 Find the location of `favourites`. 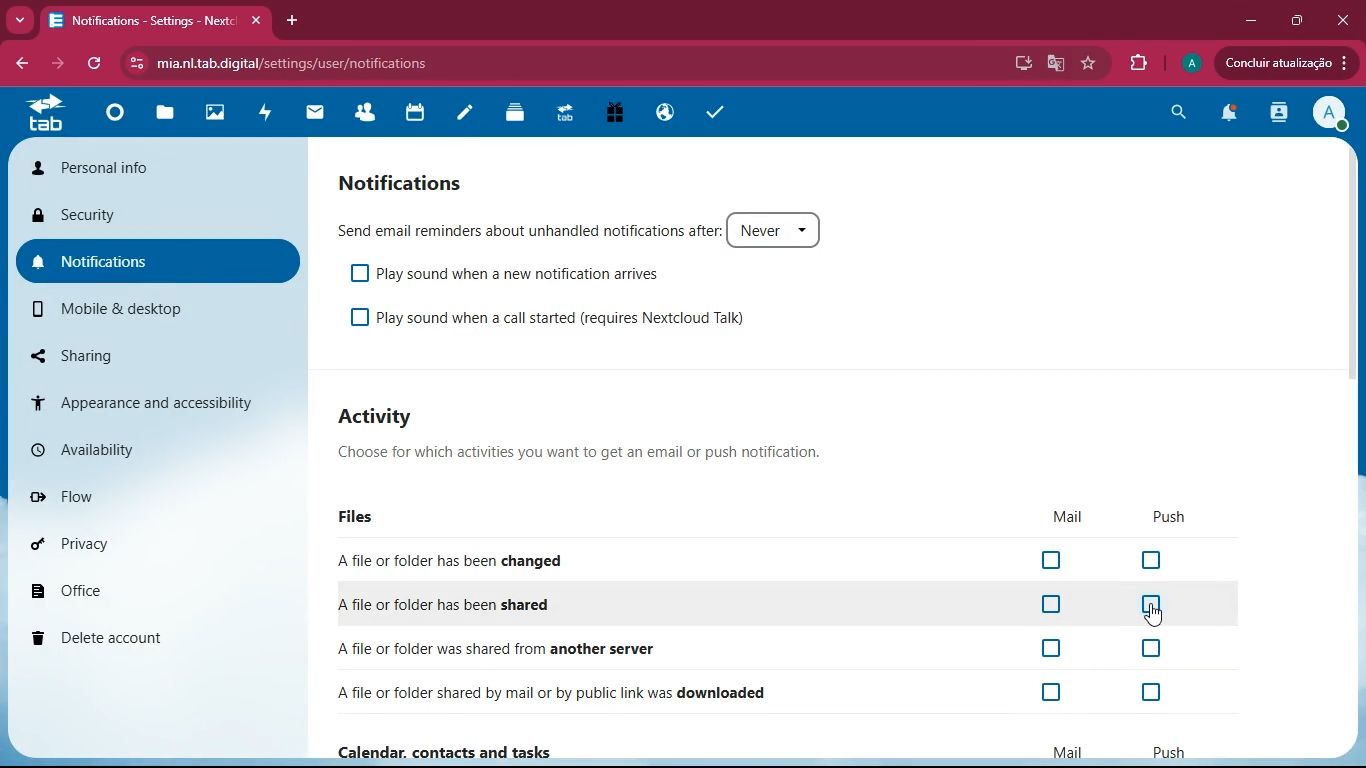

favourites is located at coordinates (1089, 64).